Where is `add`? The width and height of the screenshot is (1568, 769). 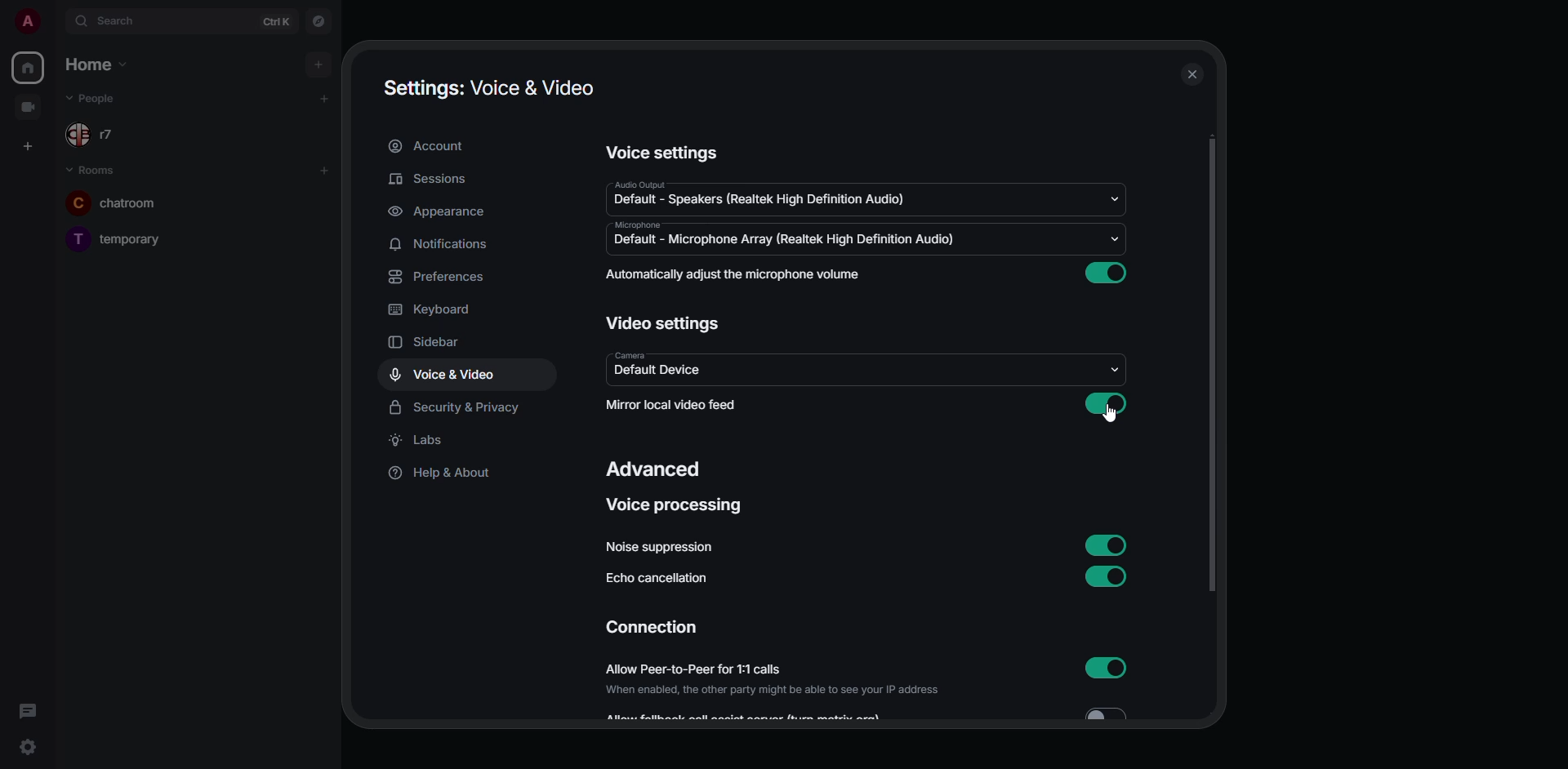 add is located at coordinates (326, 169).